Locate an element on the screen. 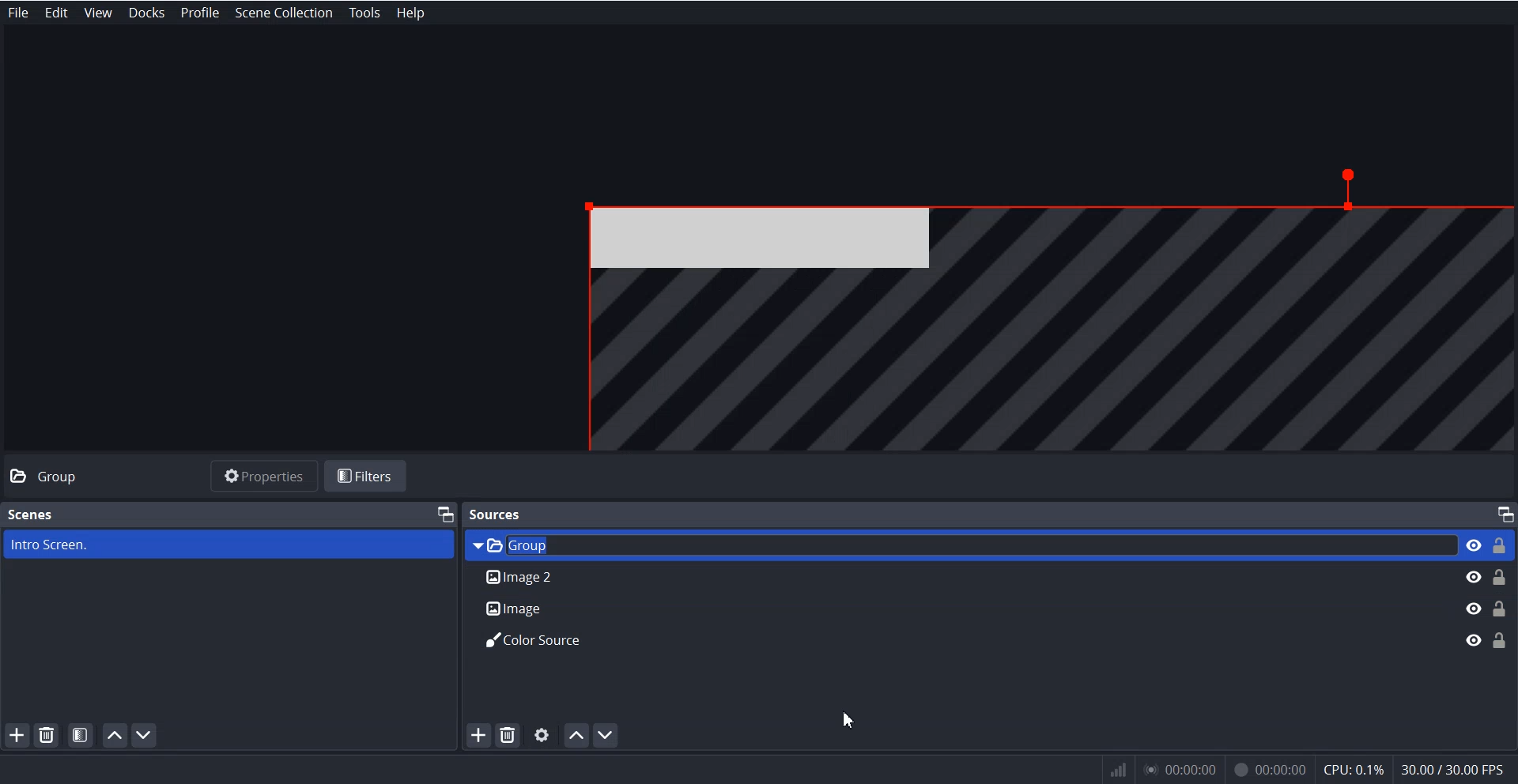 This screenshot has height=784, width=1518. cpu is located at coordinates (1353, 767).